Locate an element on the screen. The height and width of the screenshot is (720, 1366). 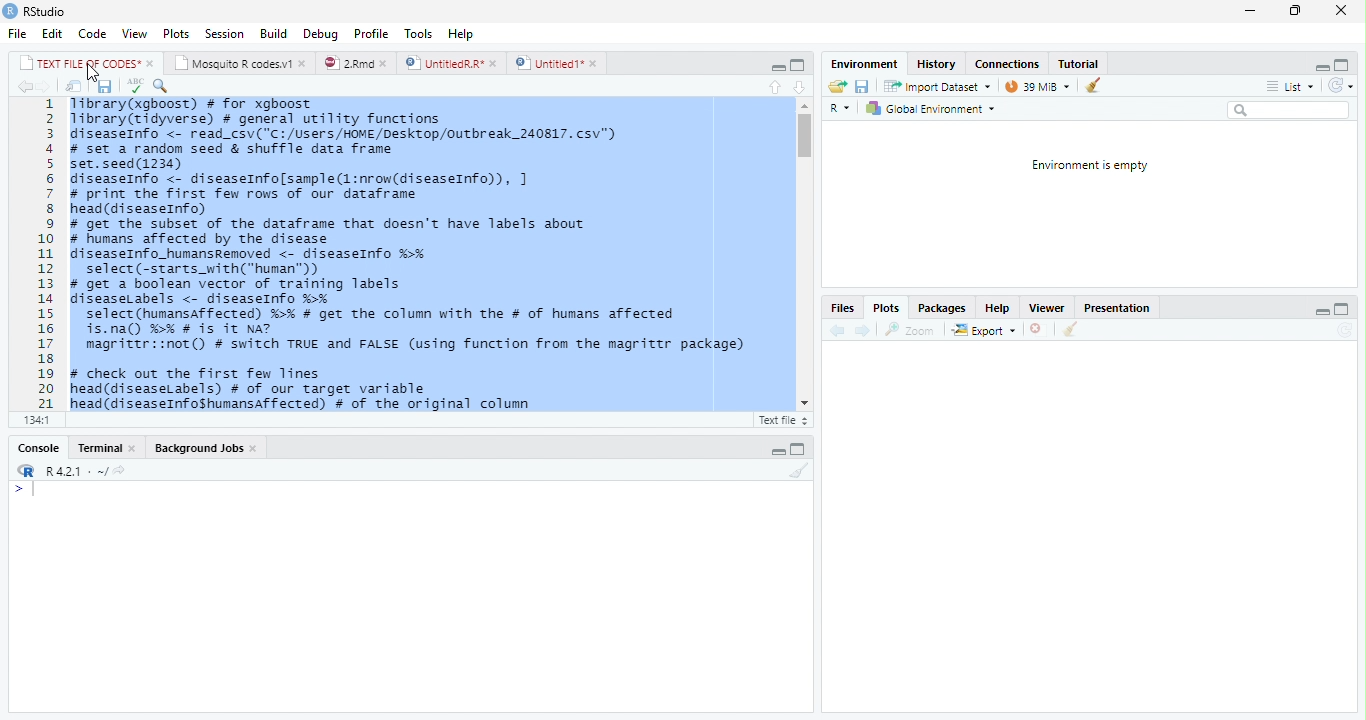
Minimize is located at coordinates (1318, 65).